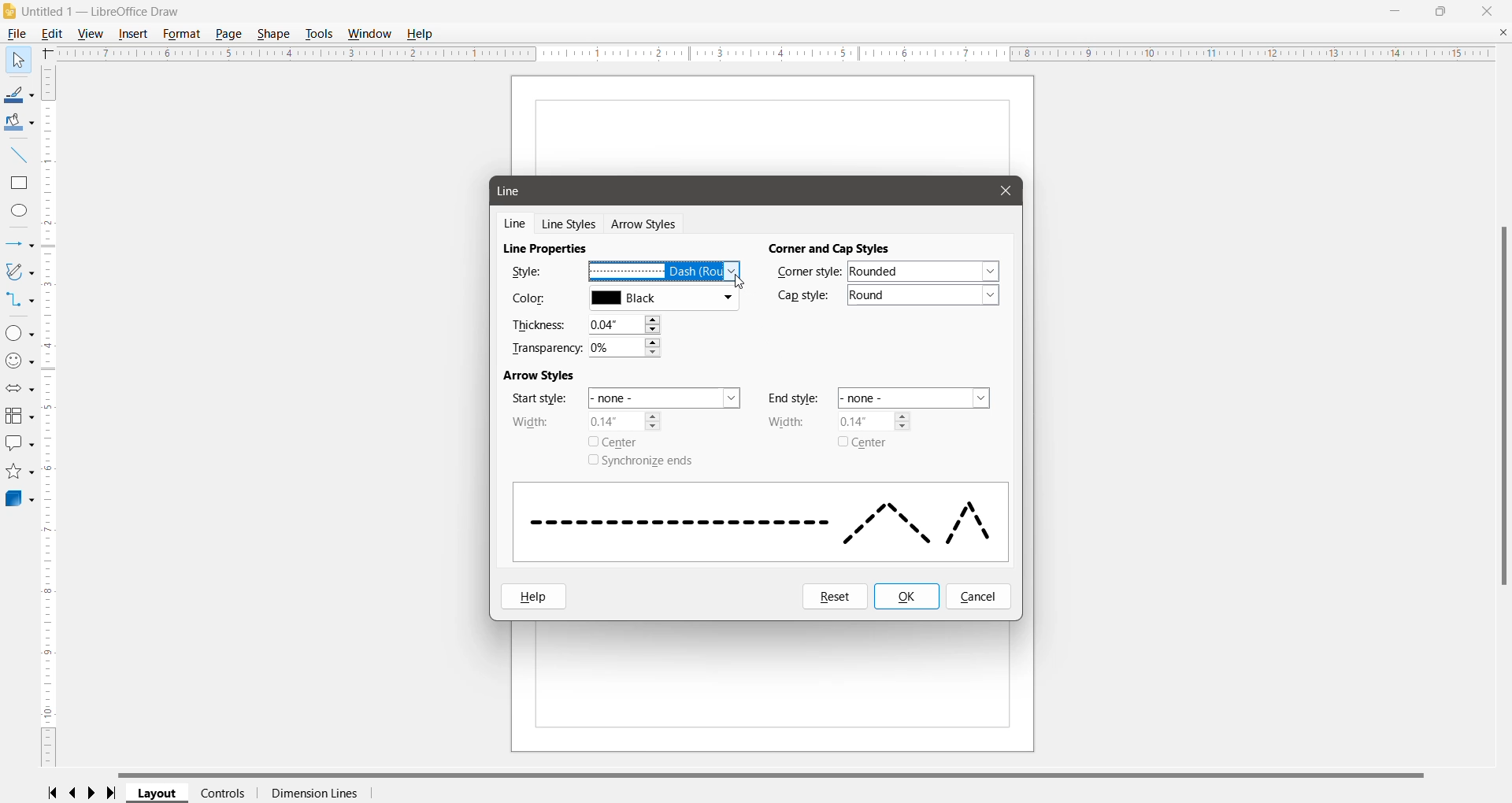 This screenshot has height=803, width=1512. What do you see at coordinates (791, 398) in the screenshot?
I see `End style` at bounding box center [791, 398].